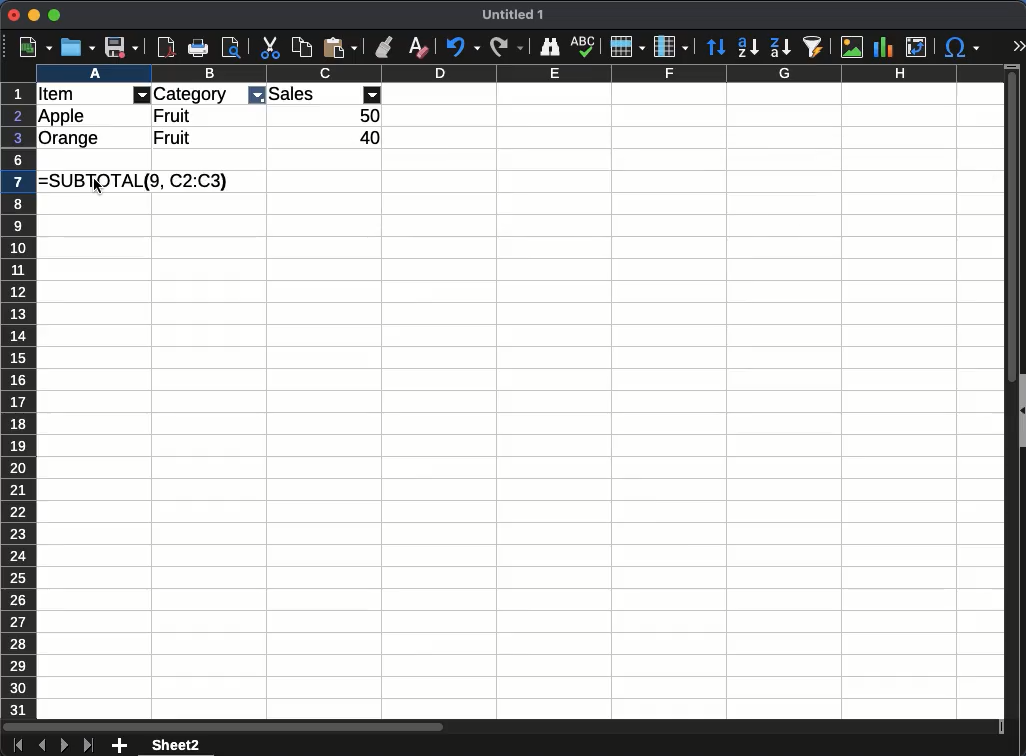 The image size is (1026, 756). I want to click on Fruit, so click(174, 115).